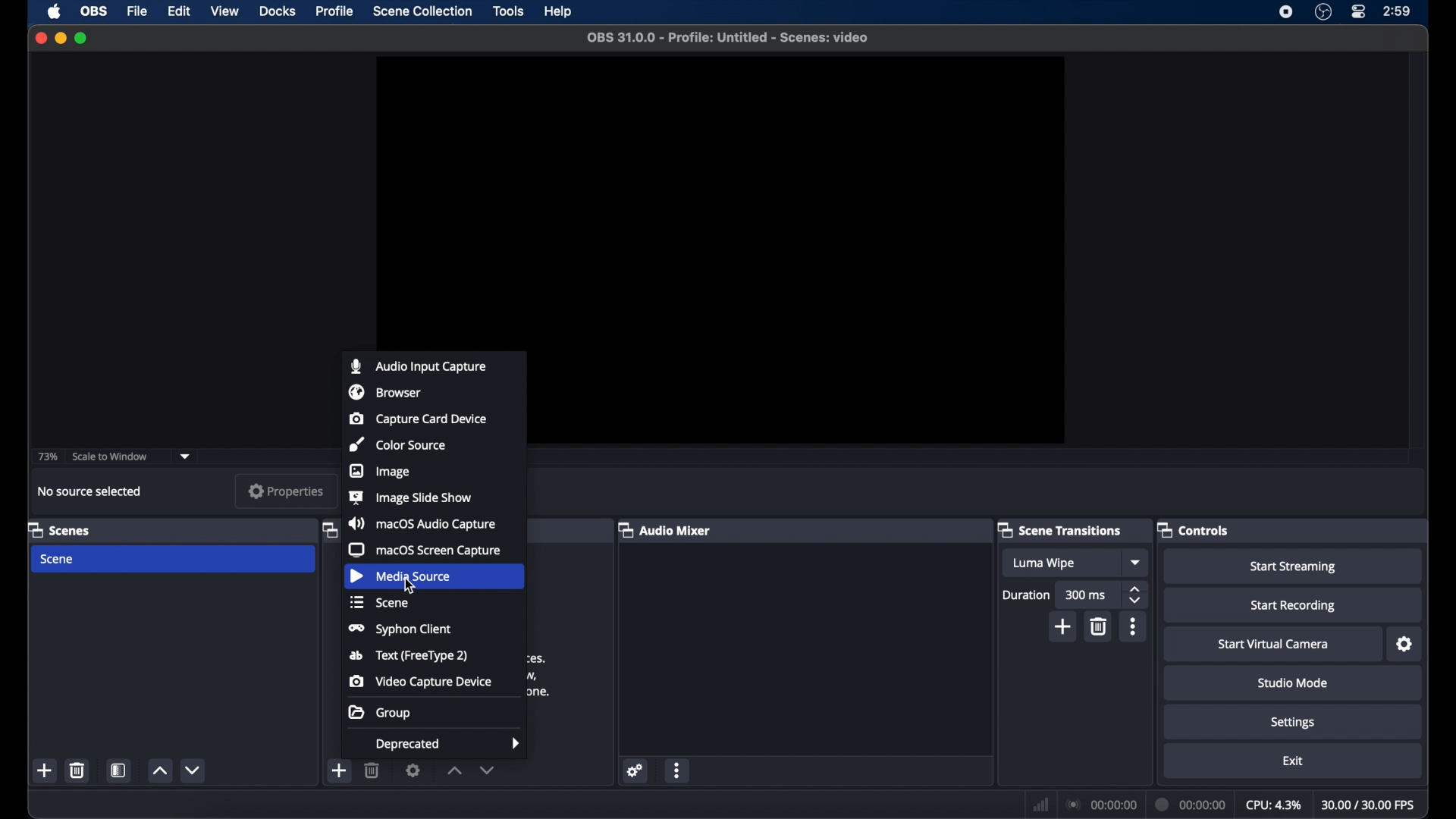 The width and height of the screenshot is (1456, 819). Describe the element at coordinates (1100, 805) in the screenshot. I see `connection` at that location.